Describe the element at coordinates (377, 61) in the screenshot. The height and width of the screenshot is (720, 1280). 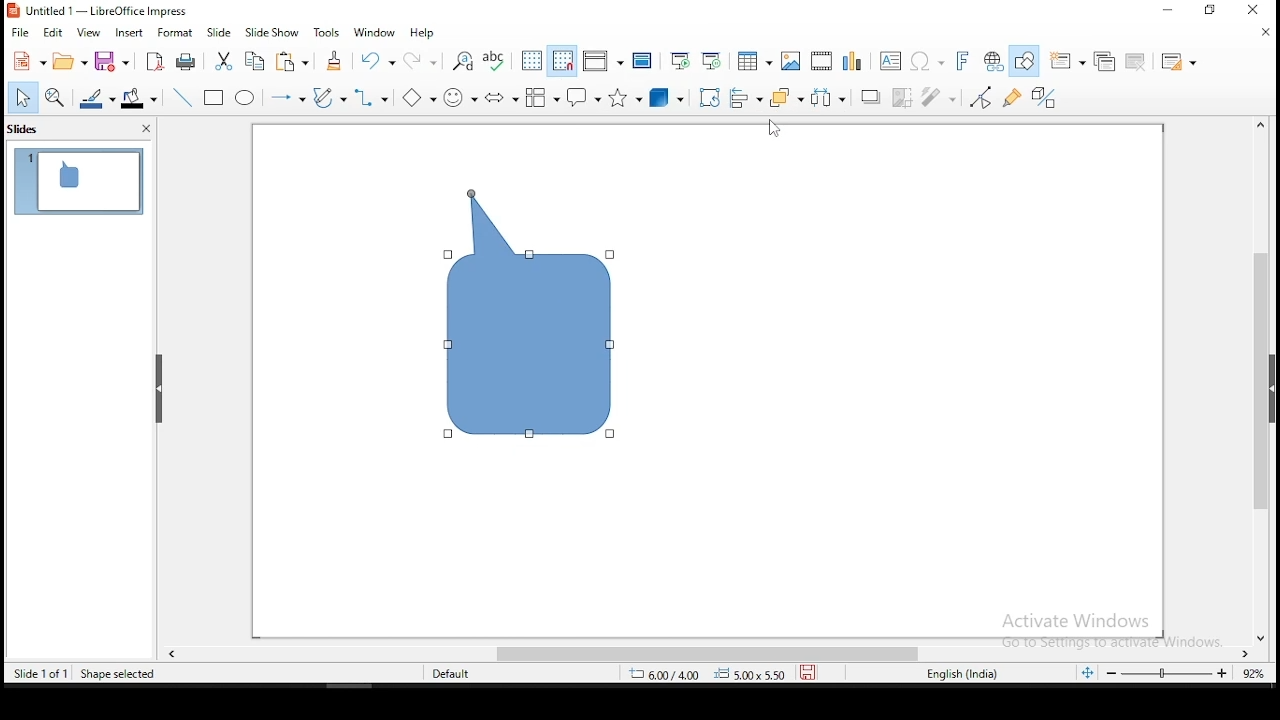
I see `undo` at that location.